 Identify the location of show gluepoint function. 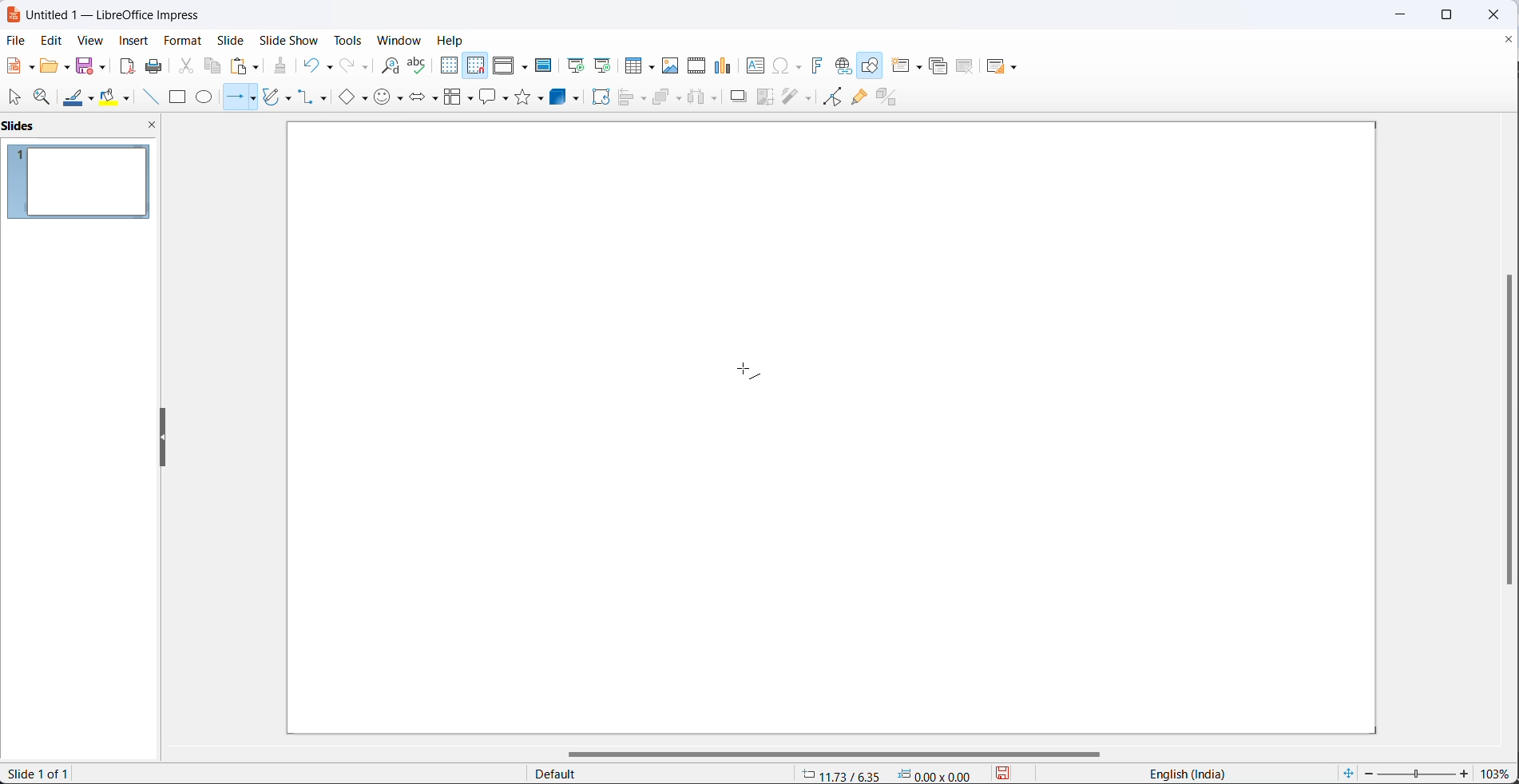
(858, 97).